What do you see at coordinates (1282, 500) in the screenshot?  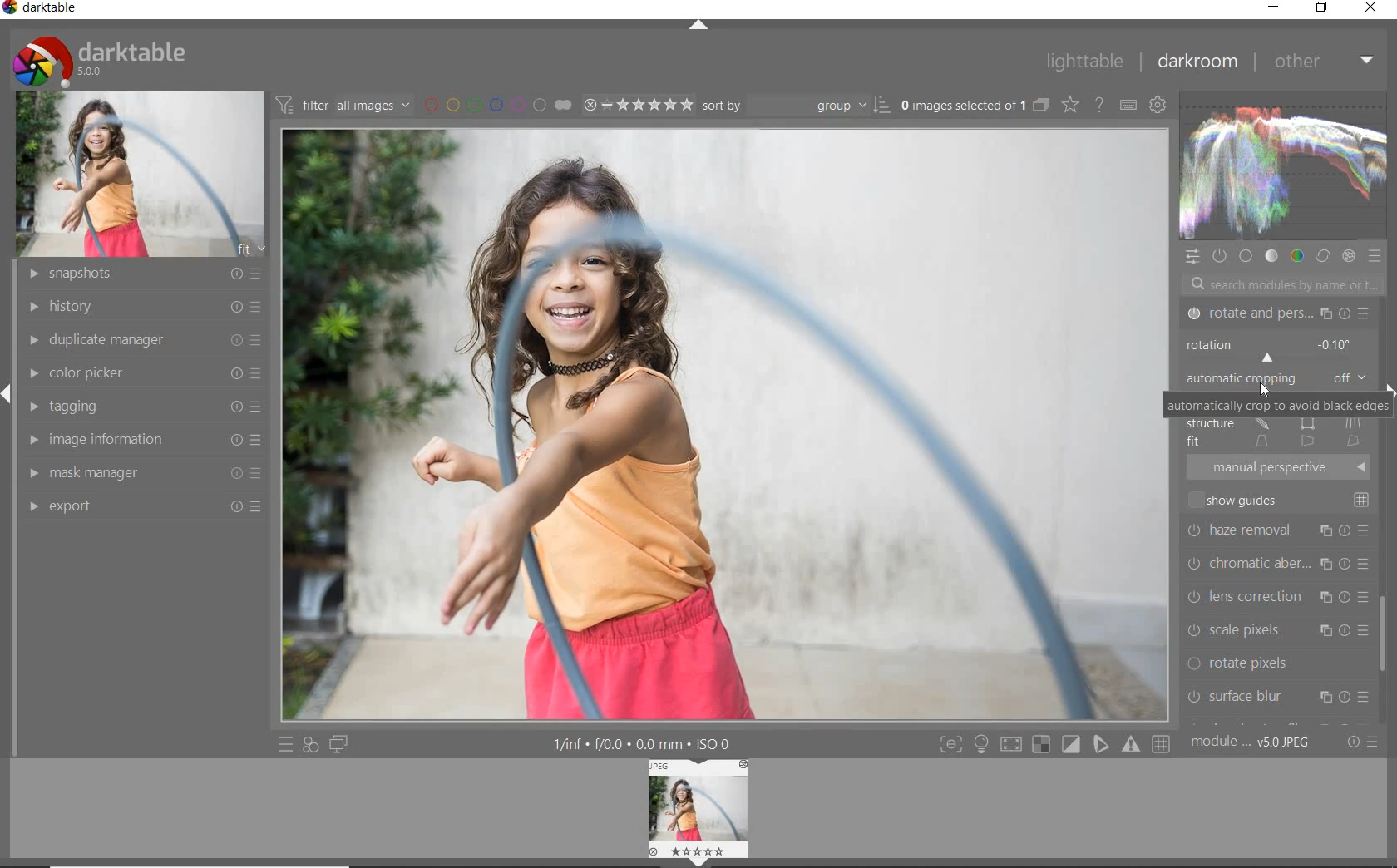 I see `SHOW GUIDES` at bounding box center [1282, 500].